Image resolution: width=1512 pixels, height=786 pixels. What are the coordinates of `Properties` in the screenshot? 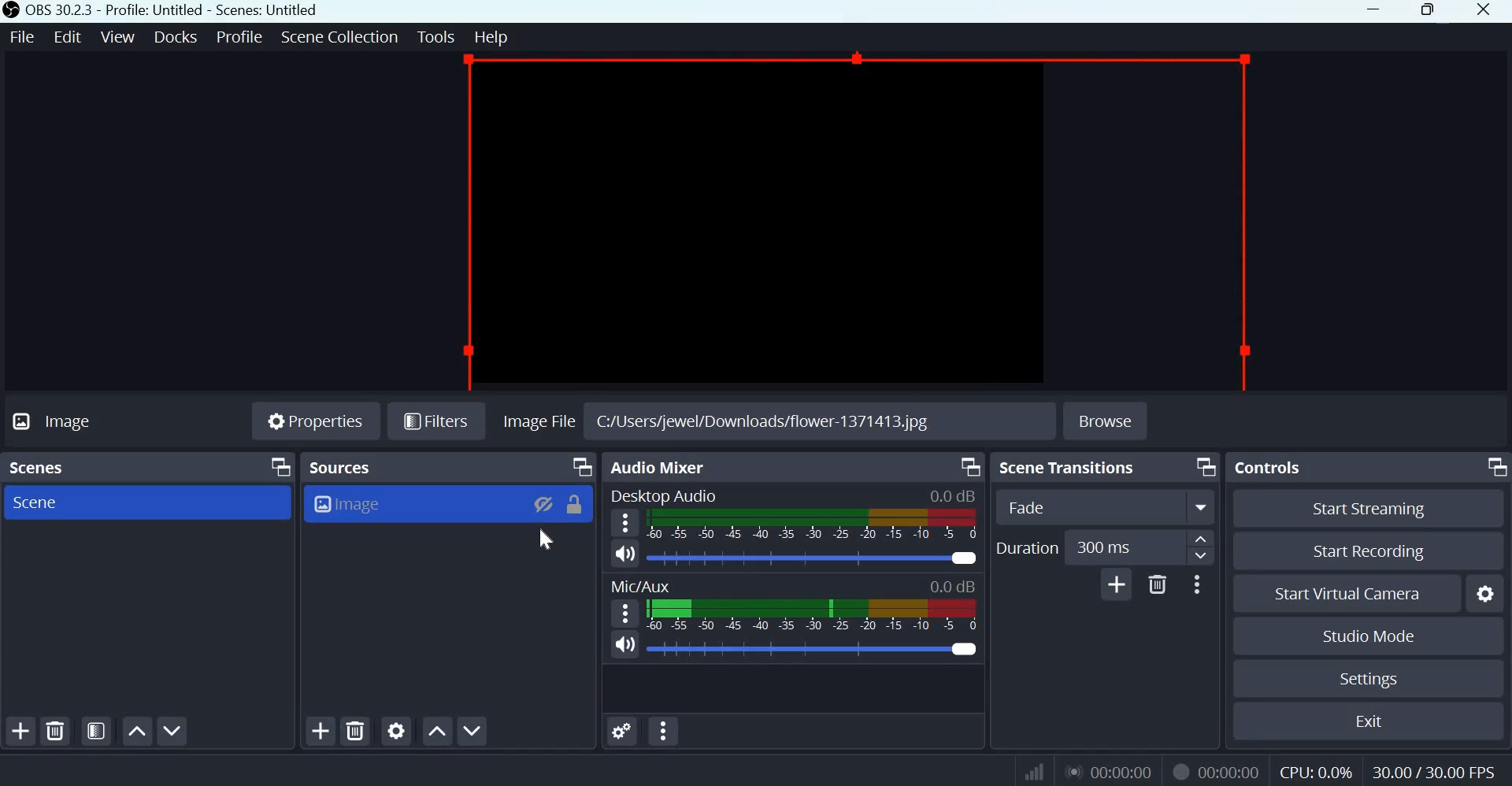 It's located at (316, 421).